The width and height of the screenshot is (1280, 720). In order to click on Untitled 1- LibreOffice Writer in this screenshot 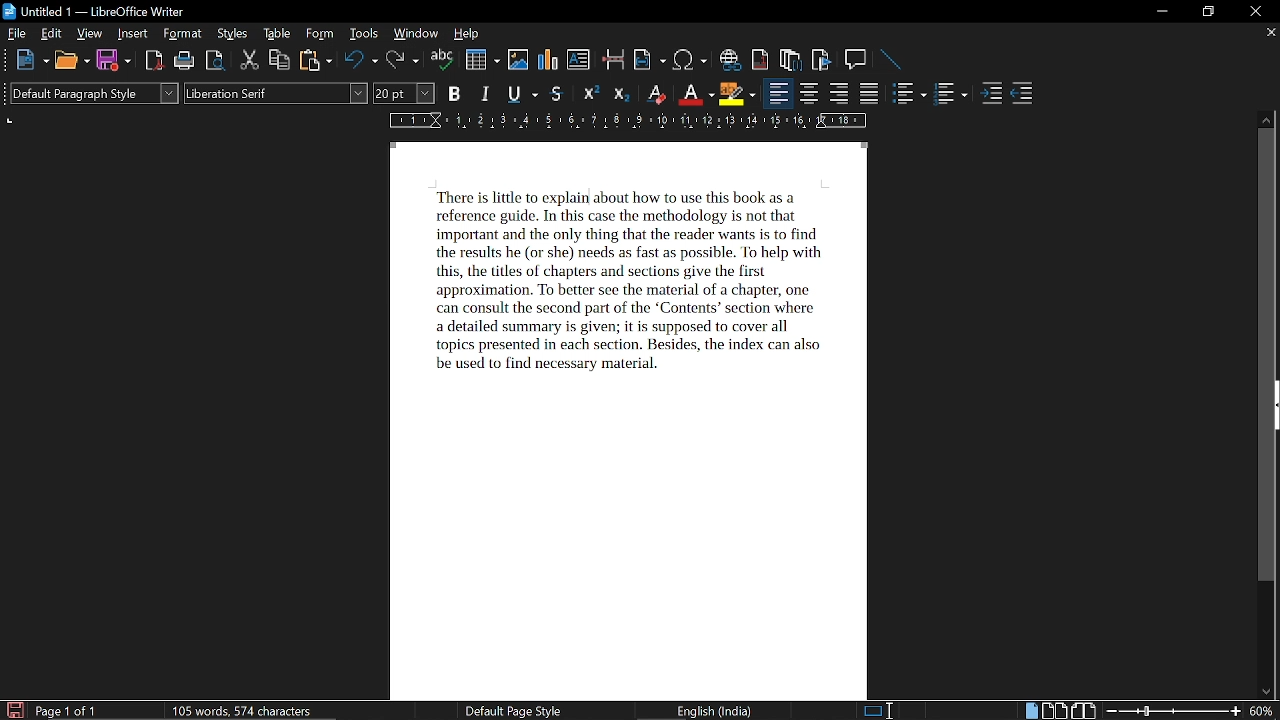, I will do `click(105, 11)`.